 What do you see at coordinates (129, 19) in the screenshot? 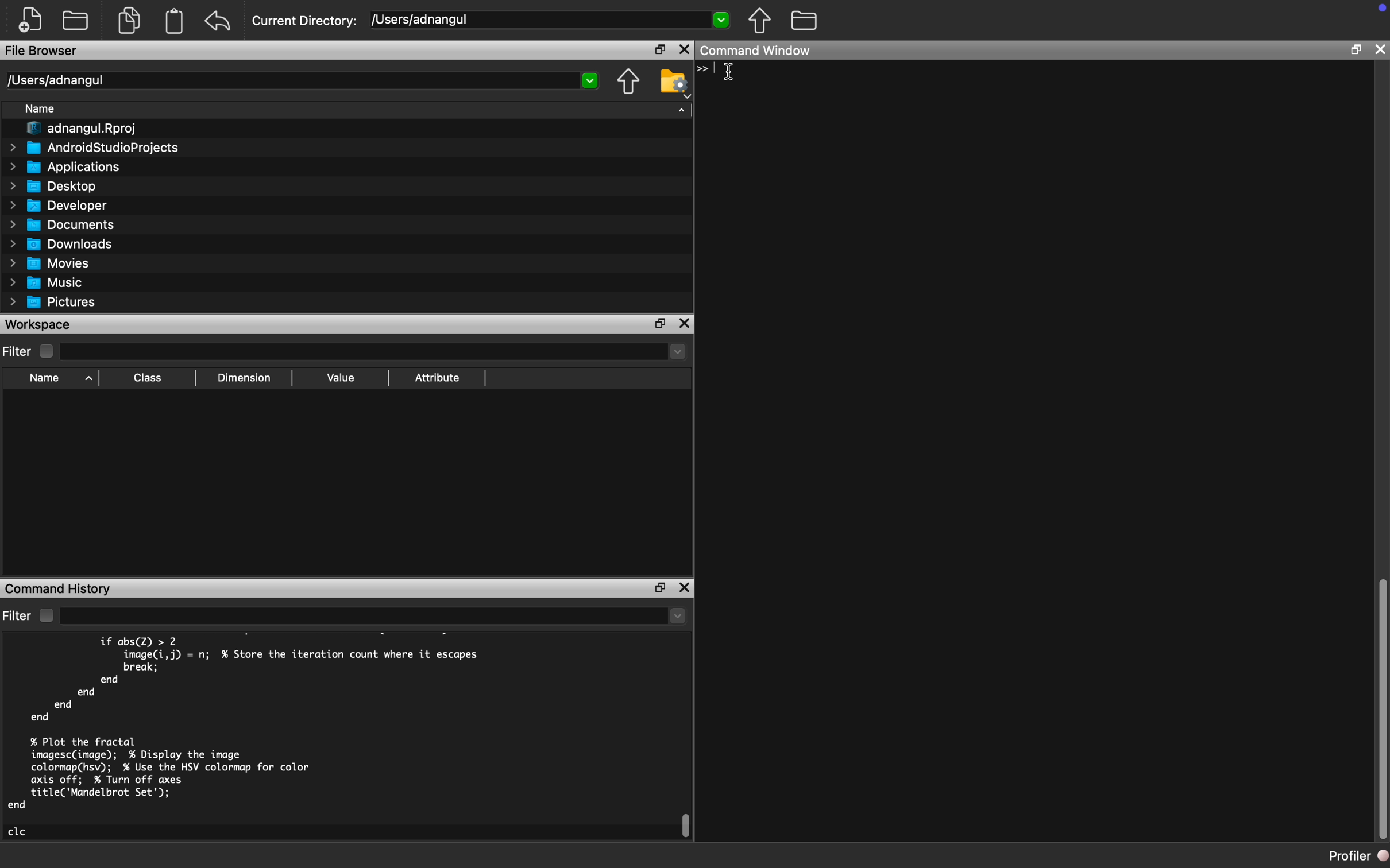
I see `Copy` at bounding box center [129, 19].